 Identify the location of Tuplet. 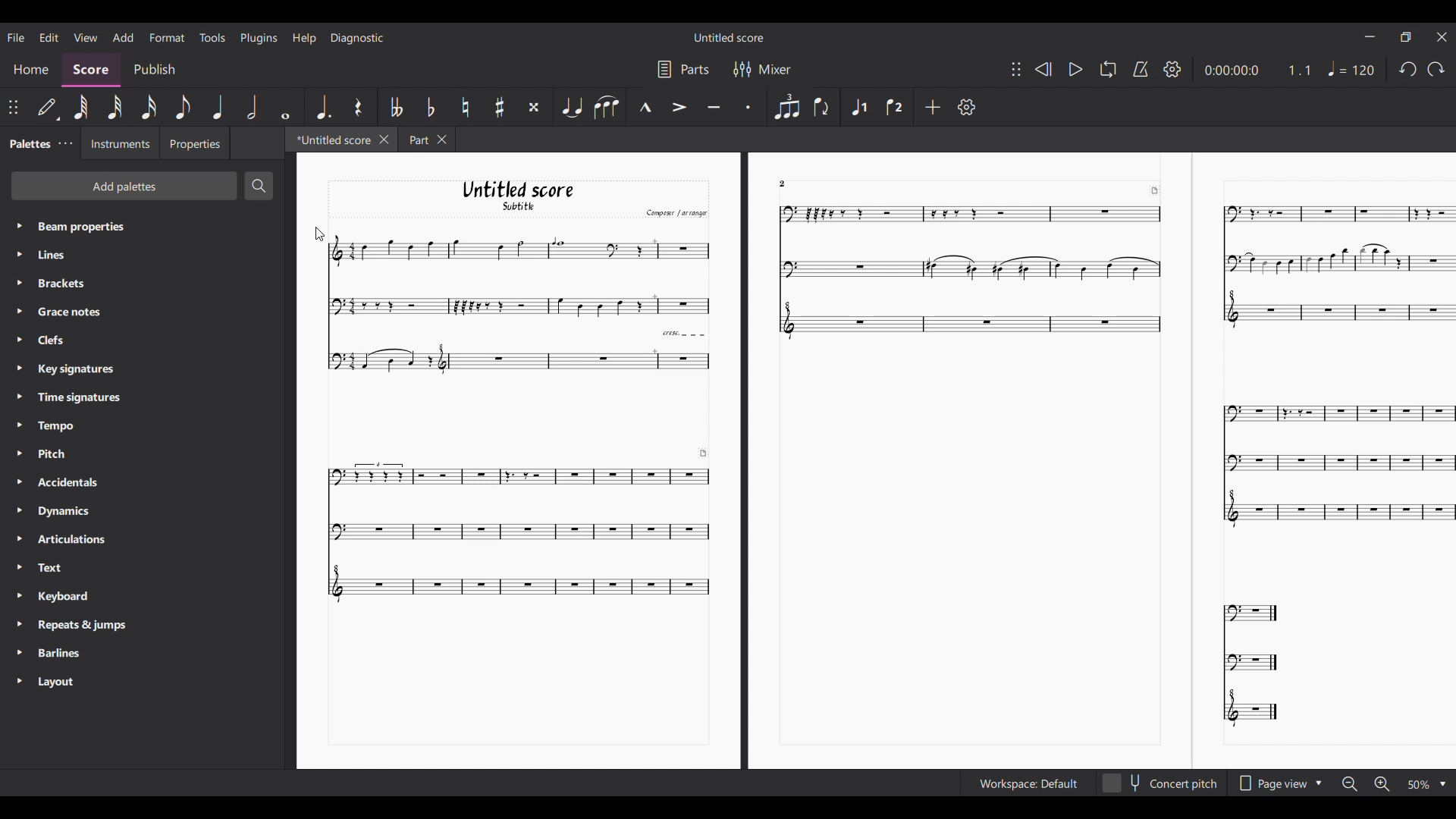
(786, 106).